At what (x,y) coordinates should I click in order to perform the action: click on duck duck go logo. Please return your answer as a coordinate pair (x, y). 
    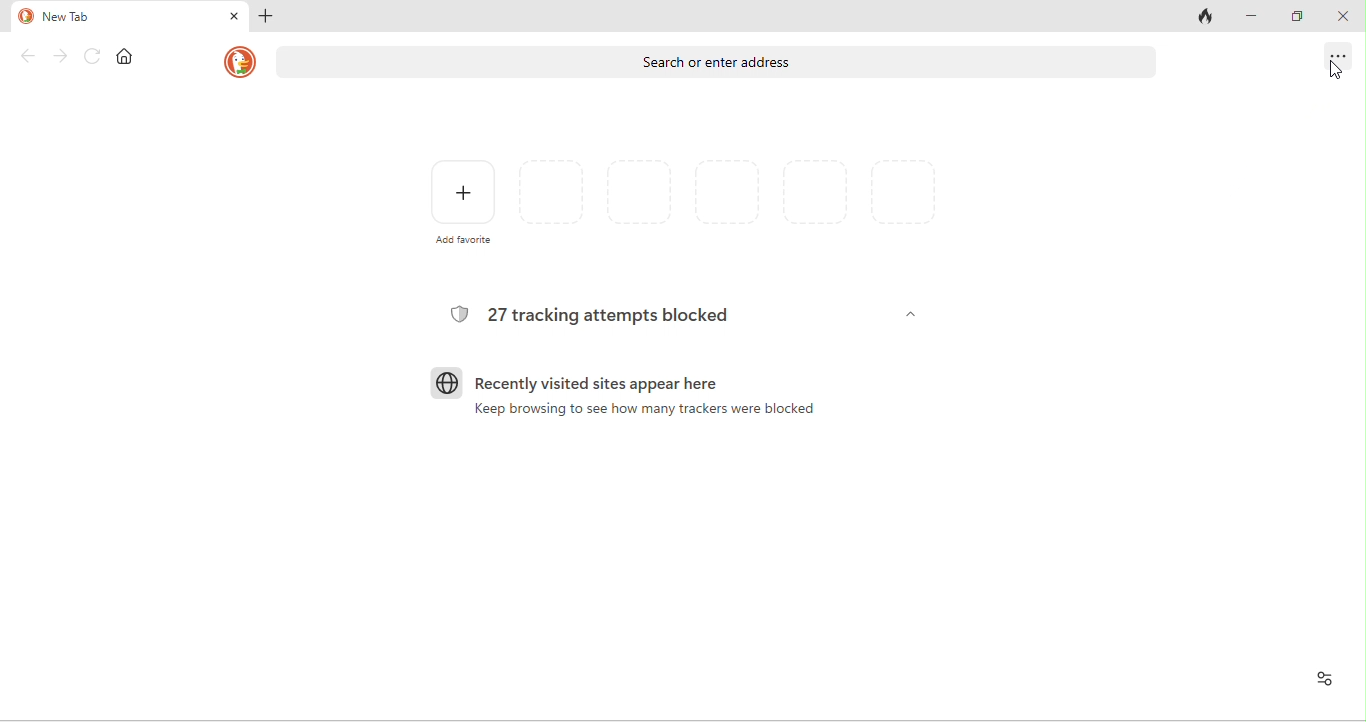
    Looking at the image, I should click on (240, 62).